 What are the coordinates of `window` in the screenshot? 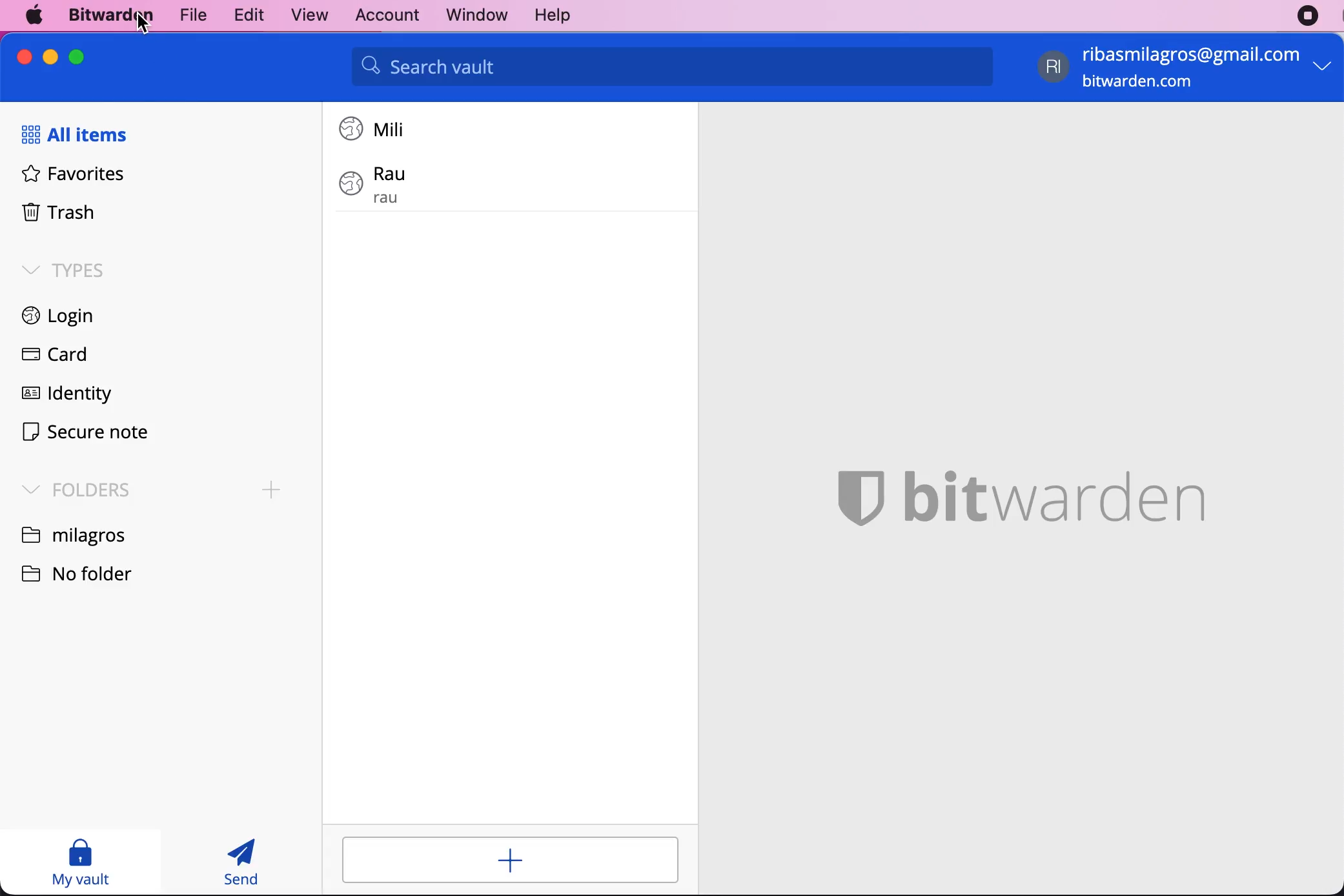 It's located at (469, 15).